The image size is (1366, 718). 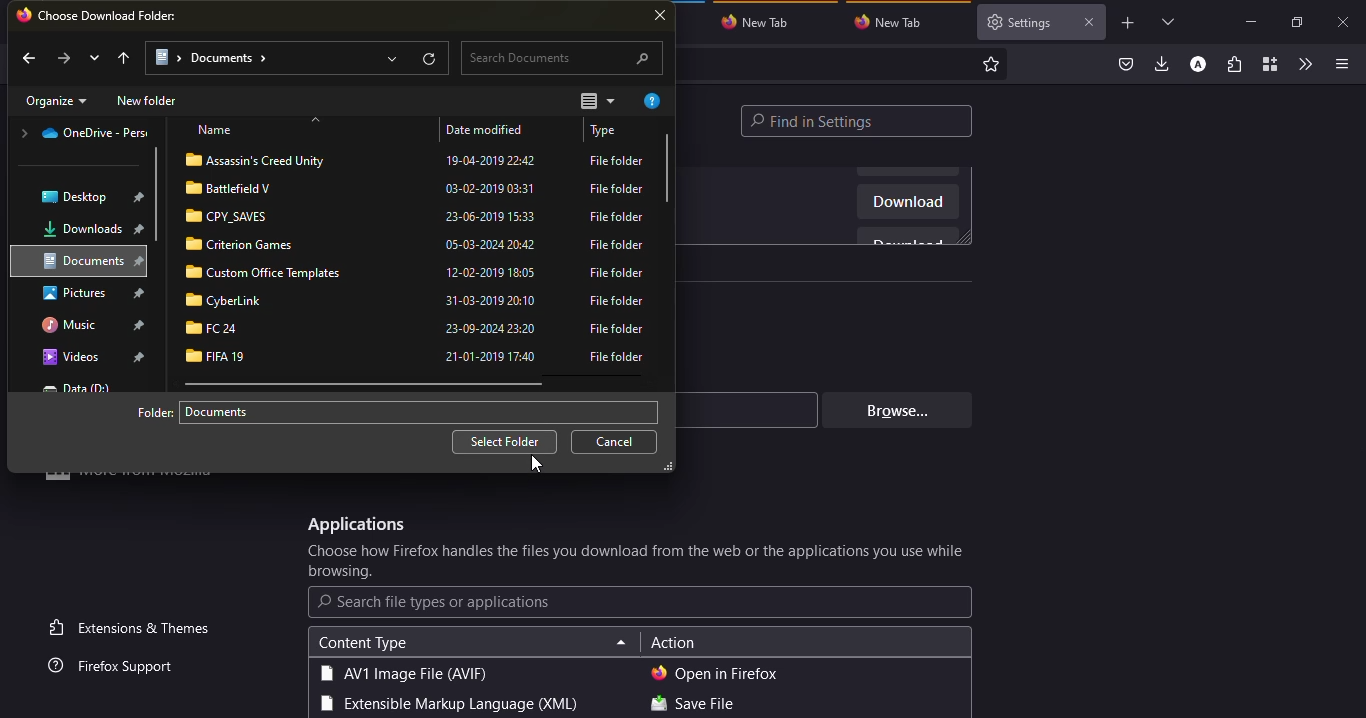 I want to click on search, so click(x=435, y=602).